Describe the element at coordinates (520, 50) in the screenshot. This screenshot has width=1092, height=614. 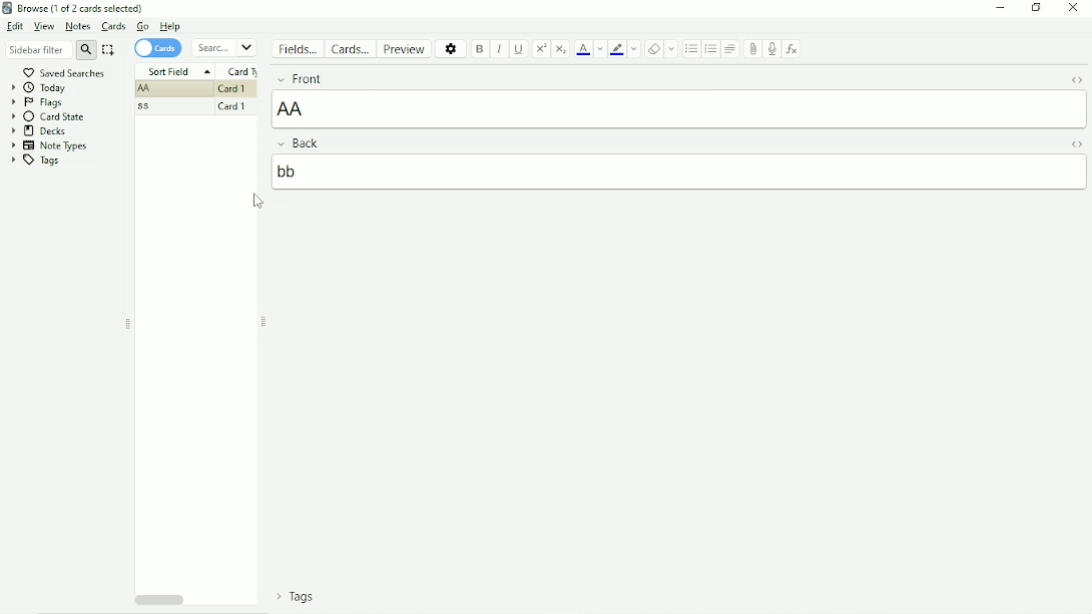
I see `Underline` at that location.